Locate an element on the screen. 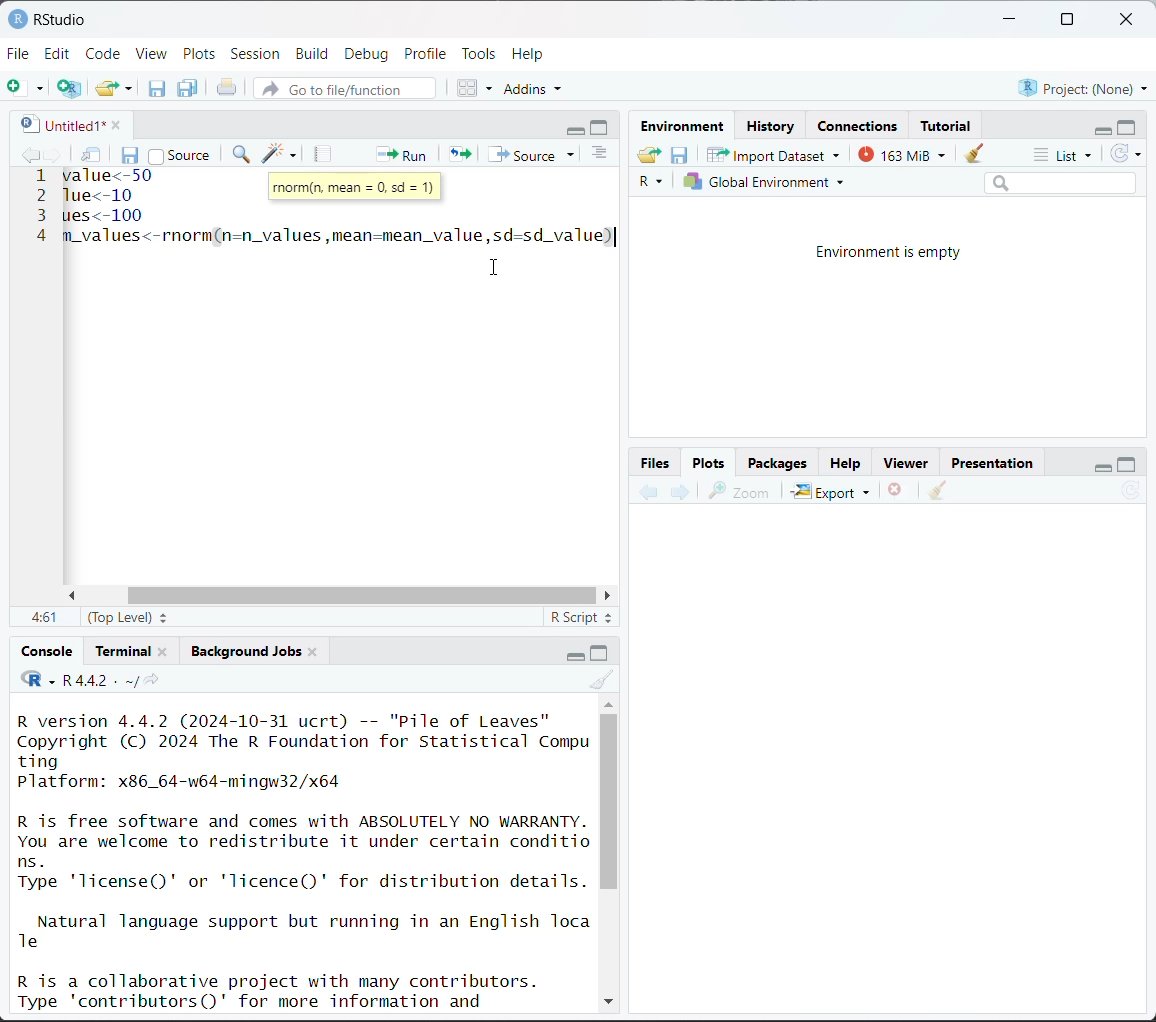 This screenshot has width=1156, height=1022. minimize is located at coordinates (1099, 128).